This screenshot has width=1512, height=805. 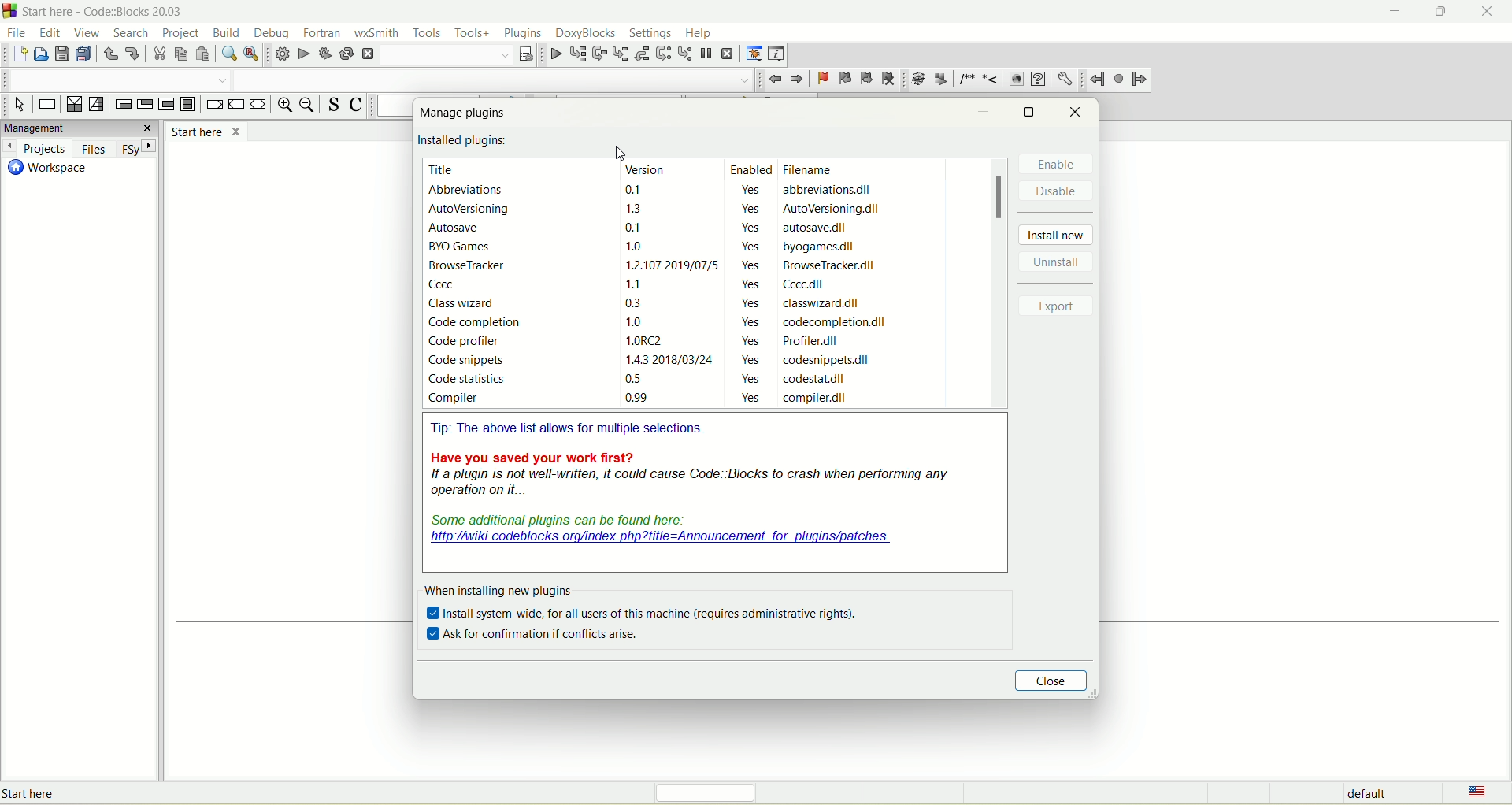 I want to click on instruction, so click(x=46, y=106).